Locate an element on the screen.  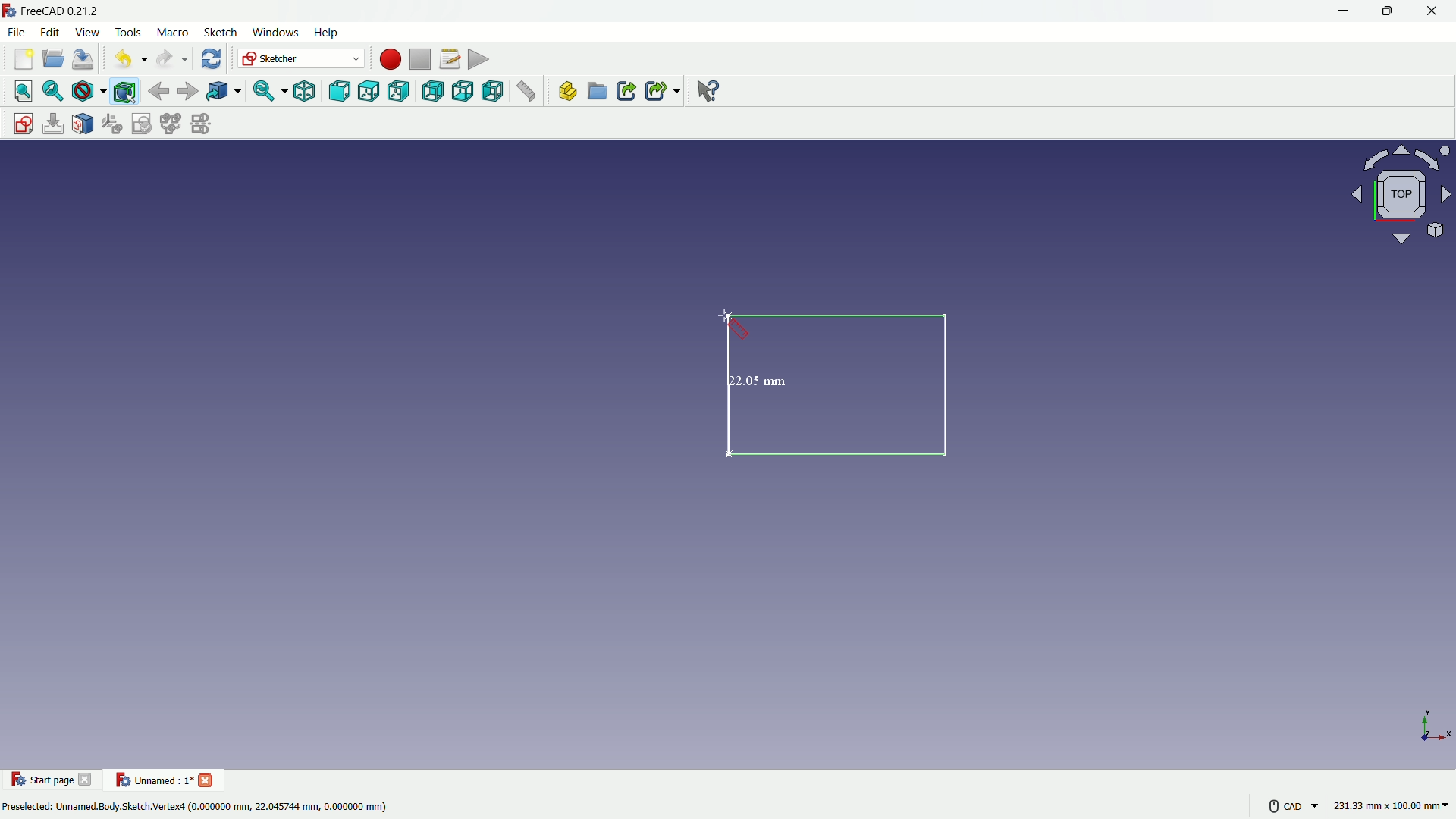
top view is located at coordinates (369, 90).